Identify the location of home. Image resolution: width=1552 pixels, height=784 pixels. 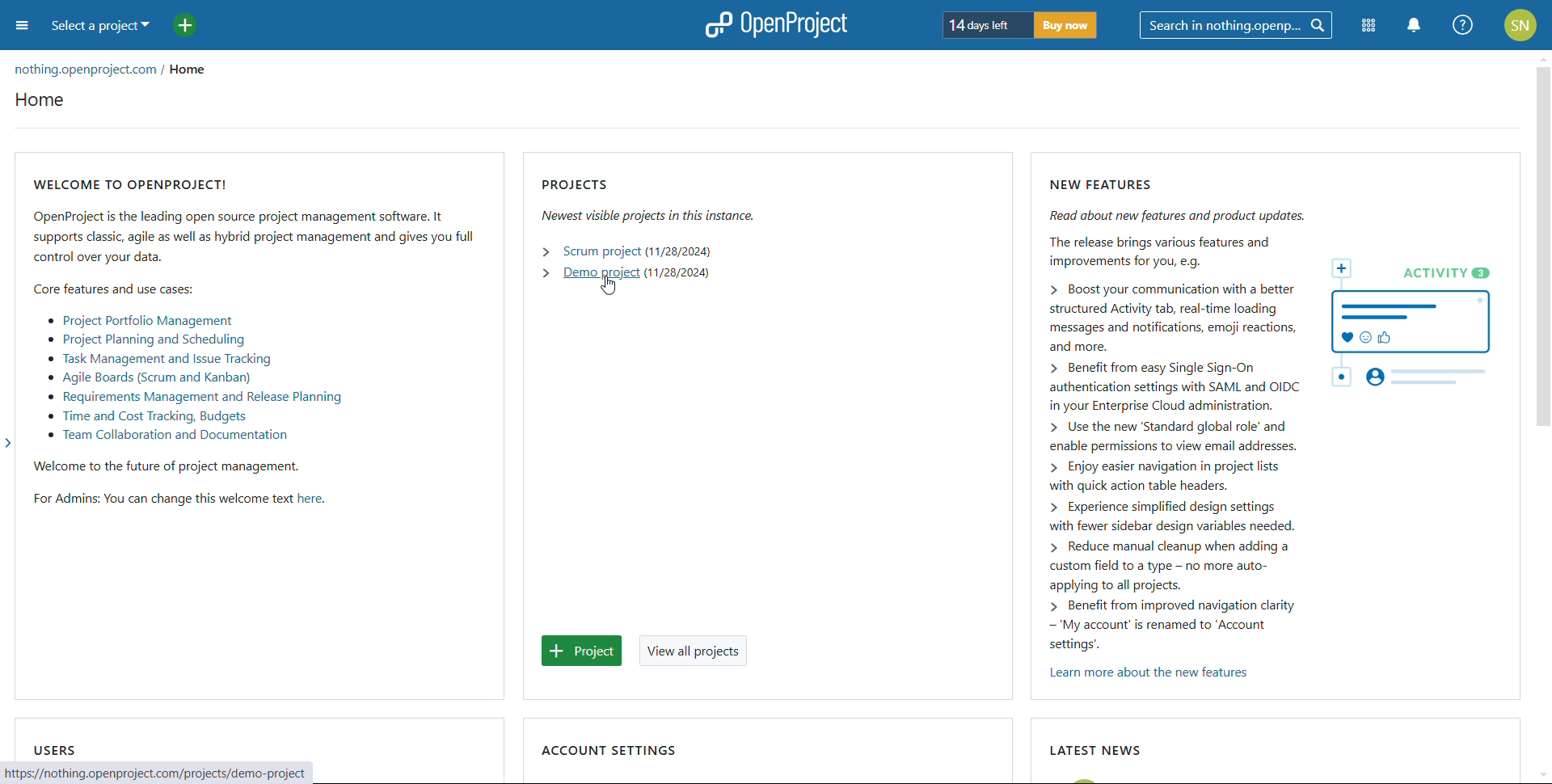
(39, 99).